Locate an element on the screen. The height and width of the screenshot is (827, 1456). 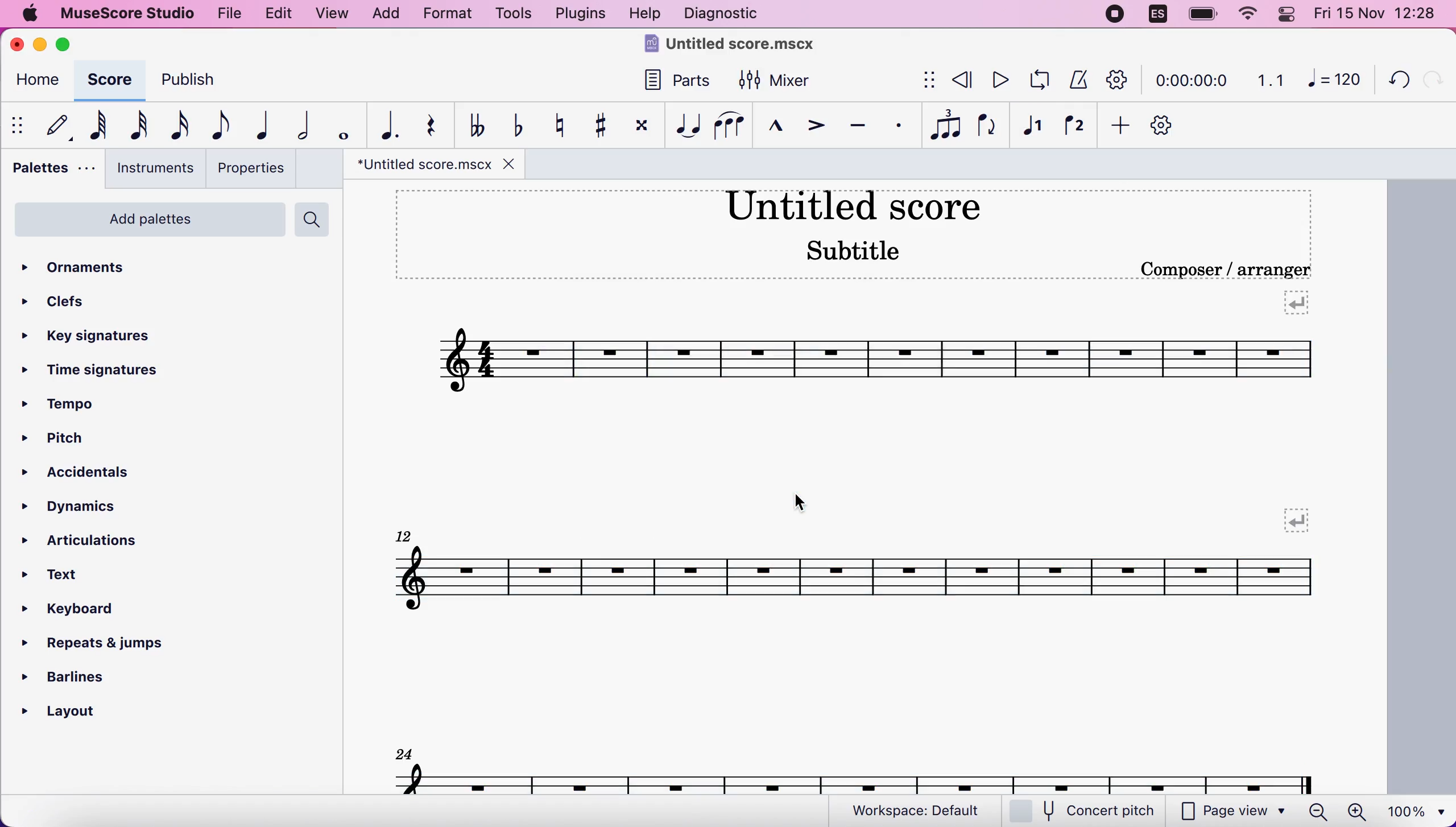
32nd note is located at coordinates (140, 125).